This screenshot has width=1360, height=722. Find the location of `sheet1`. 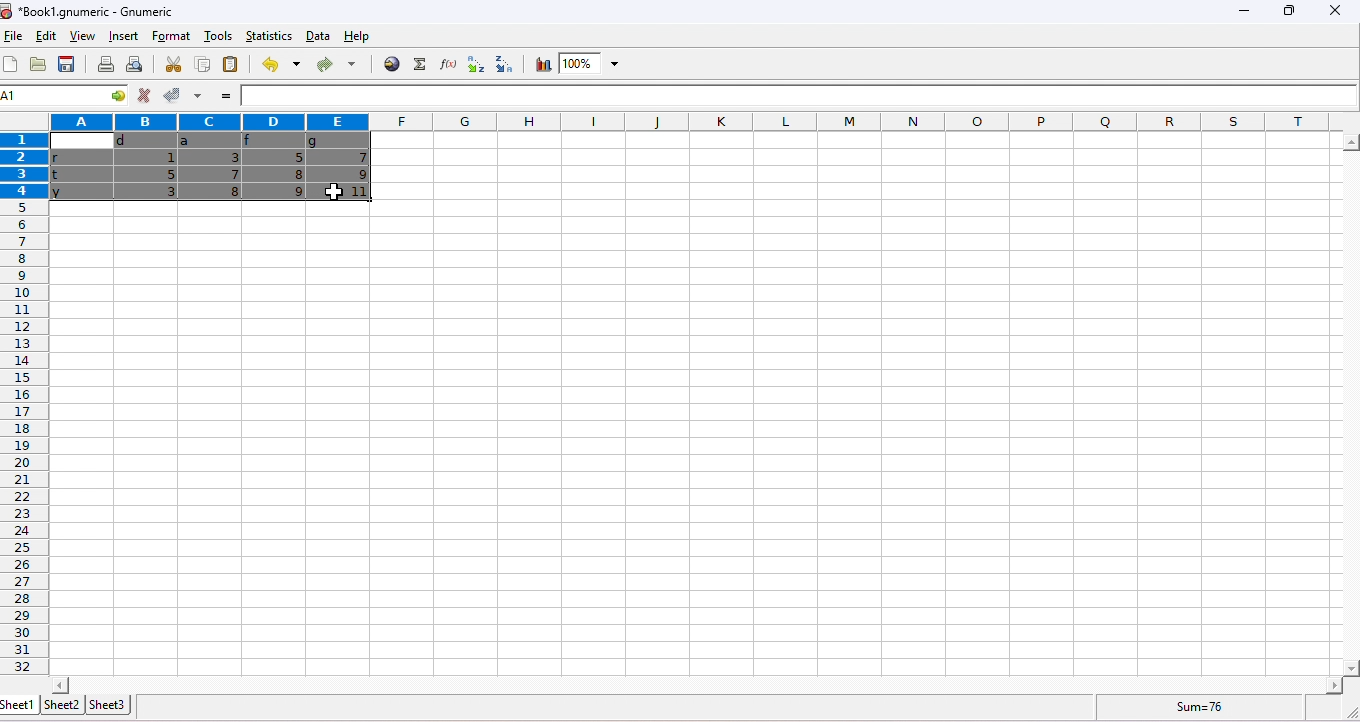

sheet1 is located at coordinates (19, 705).